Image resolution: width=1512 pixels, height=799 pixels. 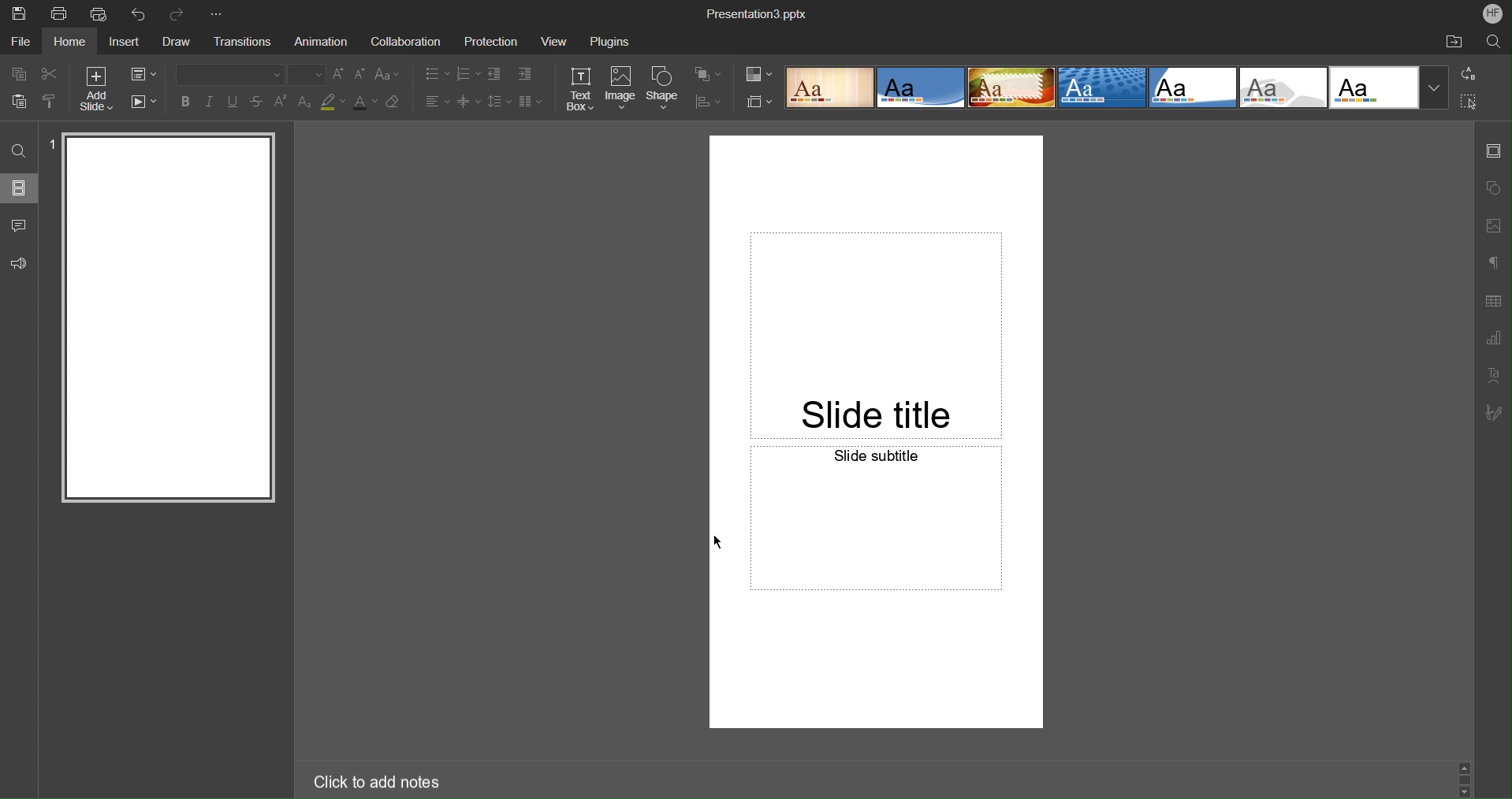 I want to click on Underline, so click(x=235, y=102).